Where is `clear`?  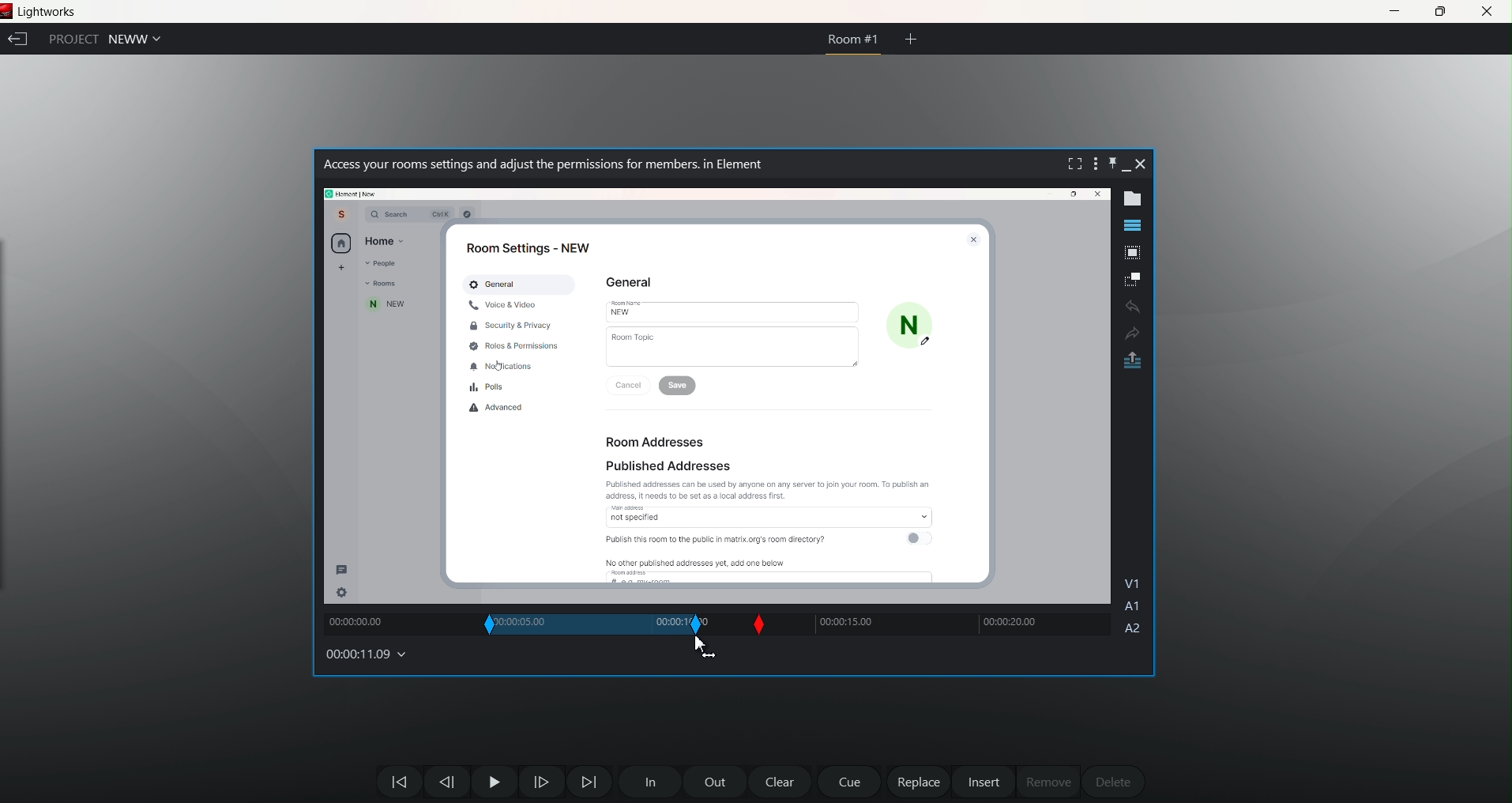 clear is located at coordinates (777, 779).